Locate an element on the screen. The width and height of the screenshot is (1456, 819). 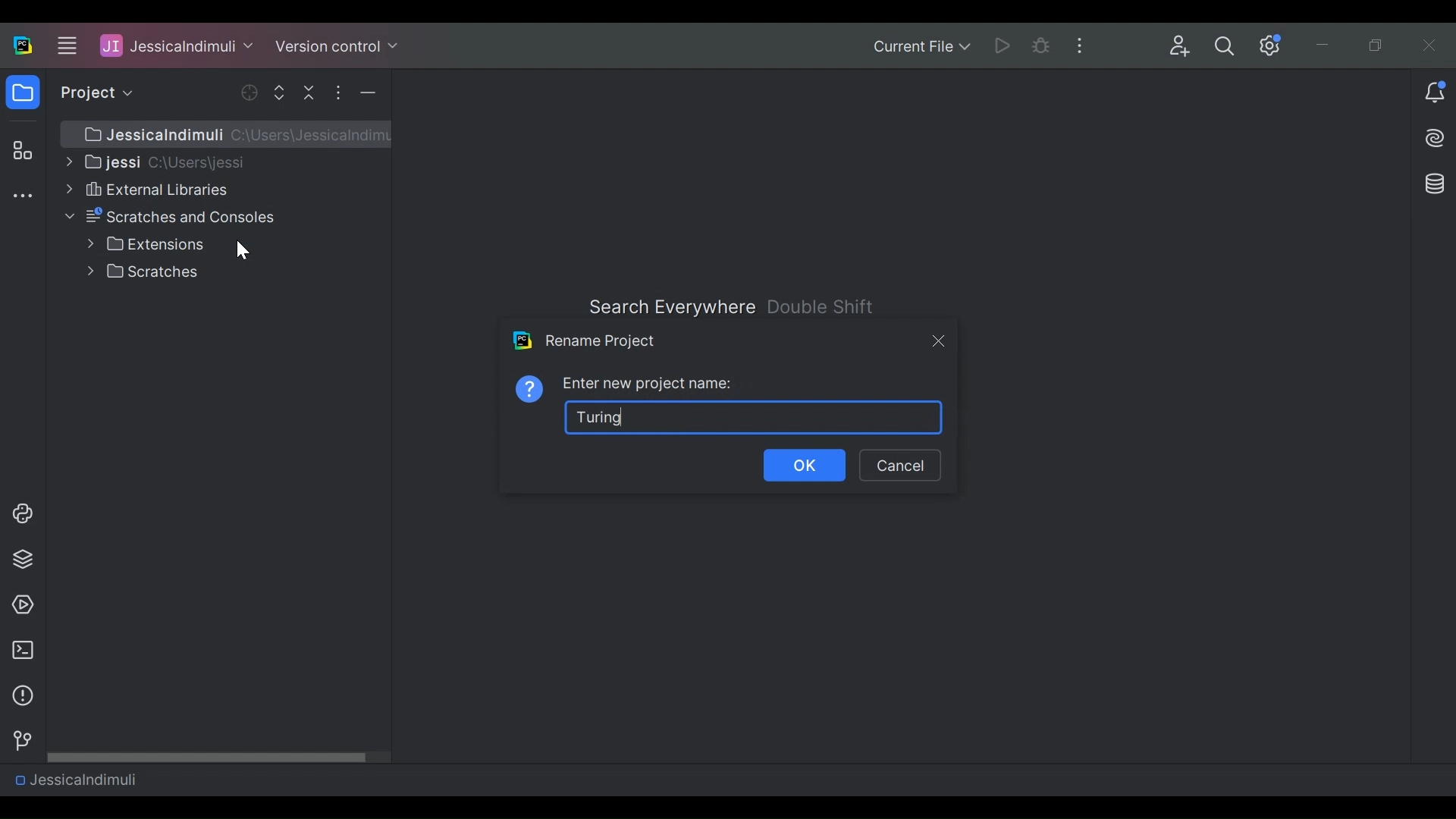
Open Selected File is located at coordinates (251, 93).